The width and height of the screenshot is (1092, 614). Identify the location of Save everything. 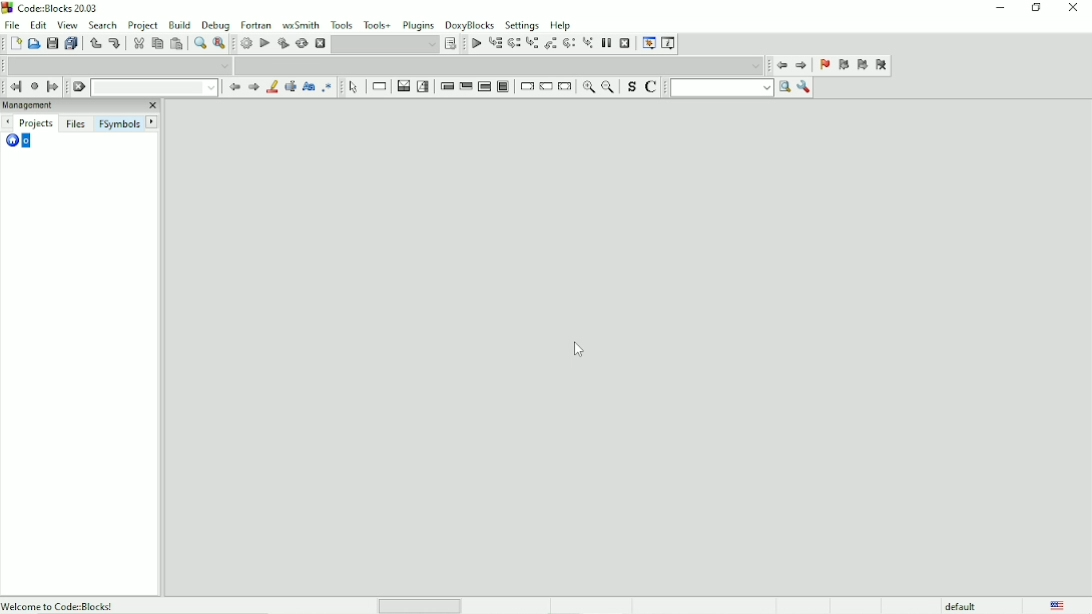
(71, 44).